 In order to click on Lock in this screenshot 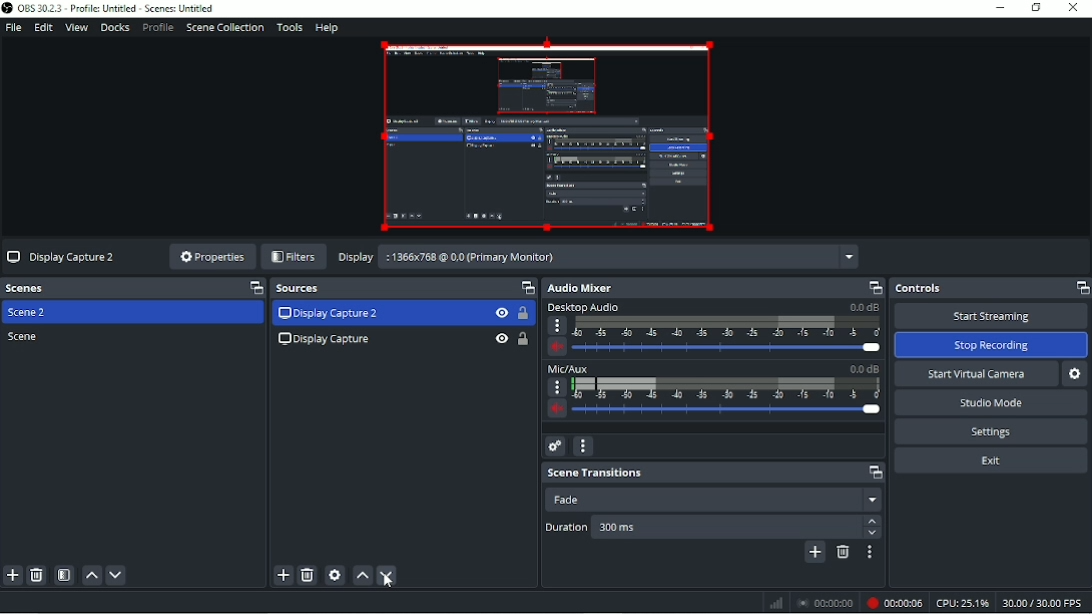, I will do `click(523, 314)`.